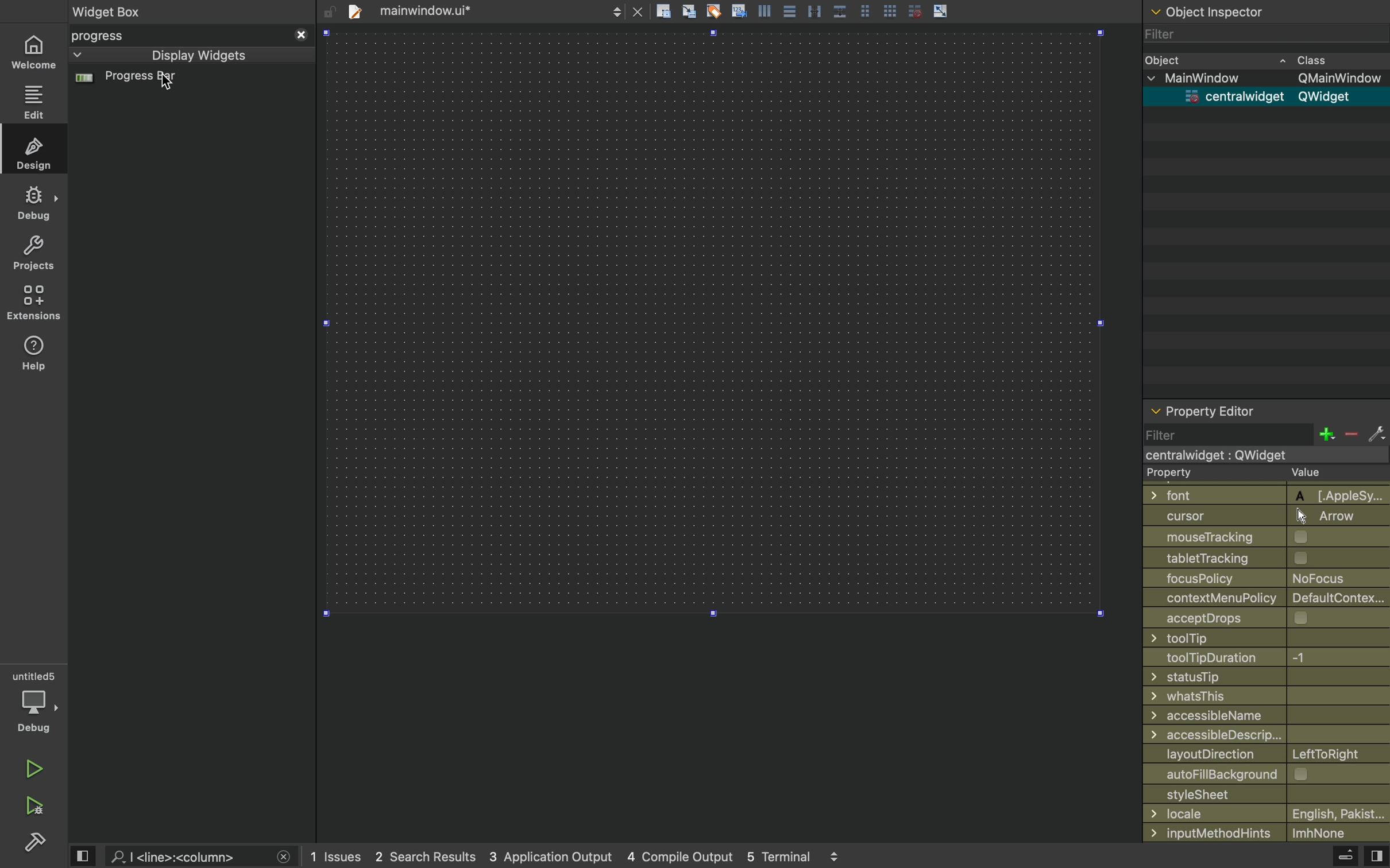 This screenshot has width=1390, height=868. I want to click on design are, so click(724, 433).